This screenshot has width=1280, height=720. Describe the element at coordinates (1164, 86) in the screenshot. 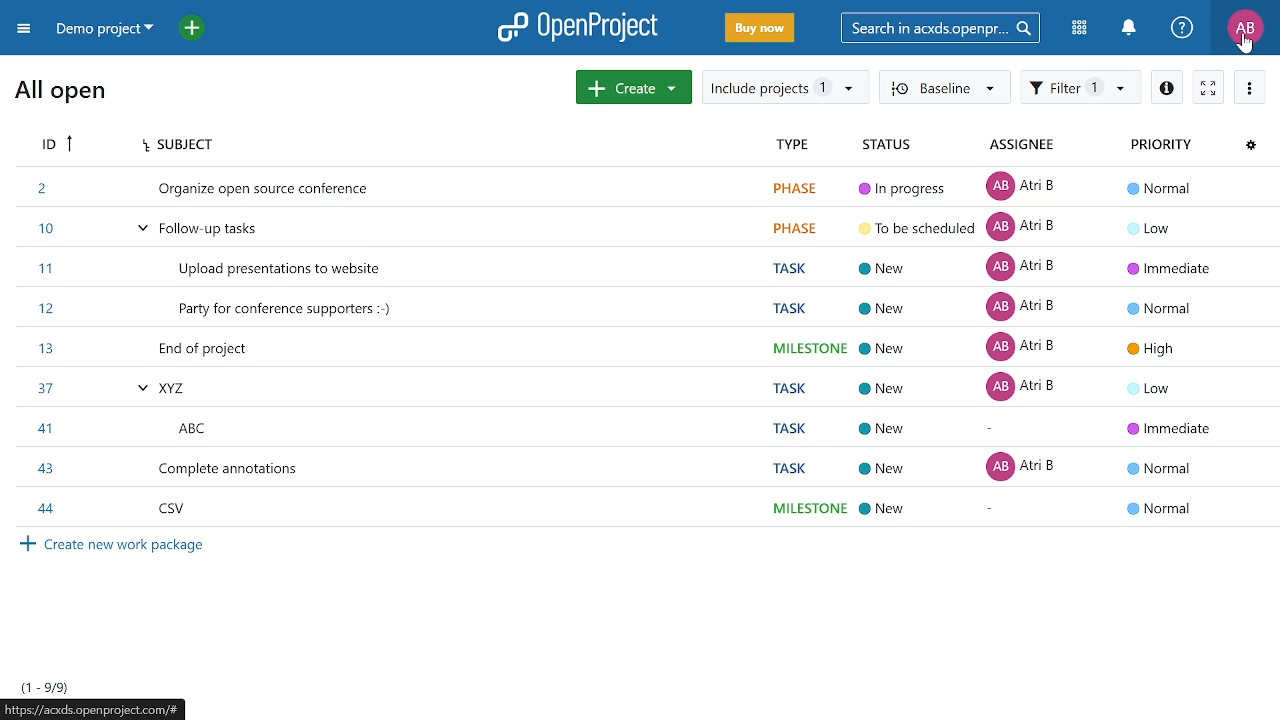

I see `Info` at that location.